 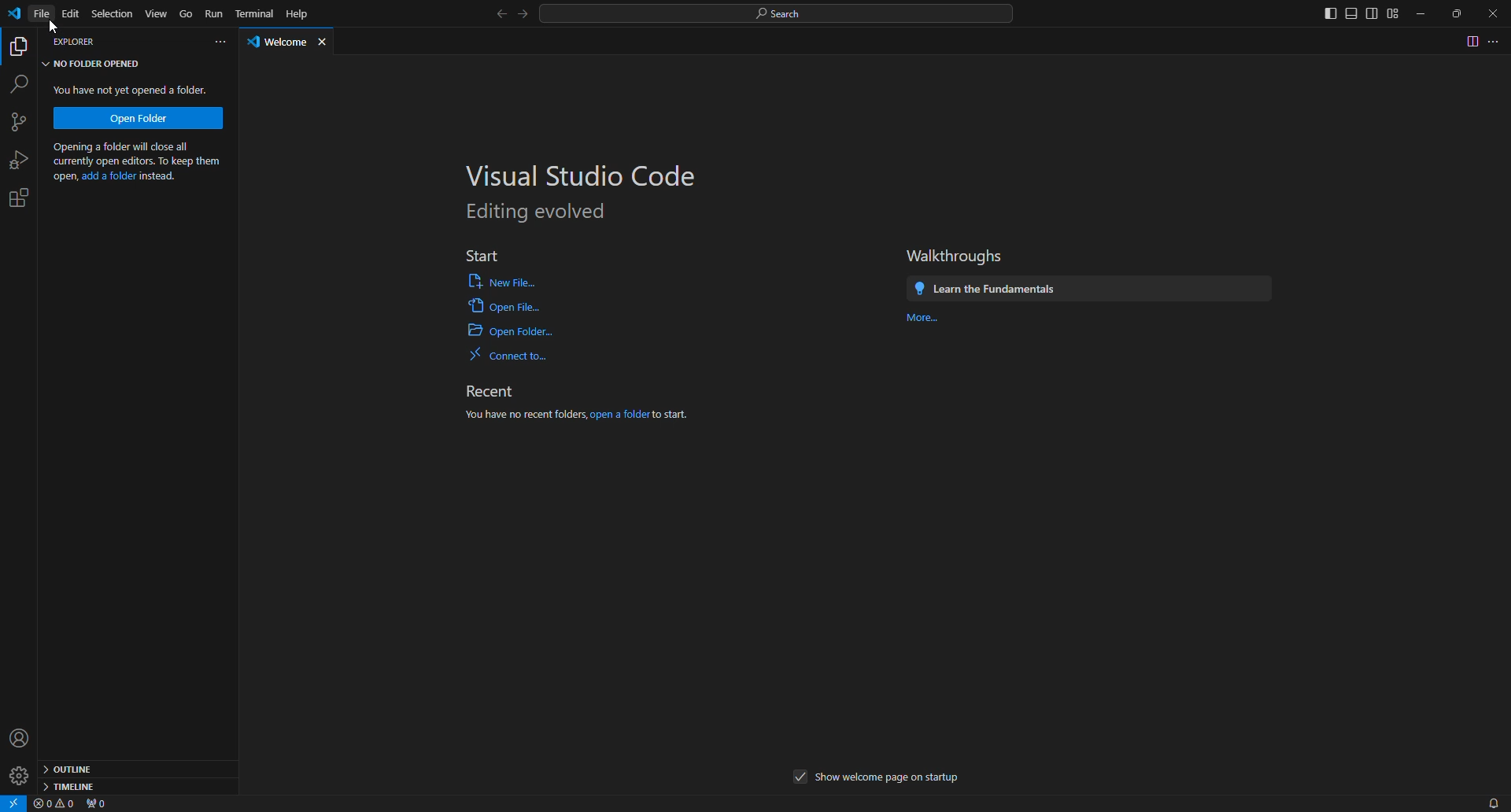 I want to click on add a folder, so click(x=109, y=178).